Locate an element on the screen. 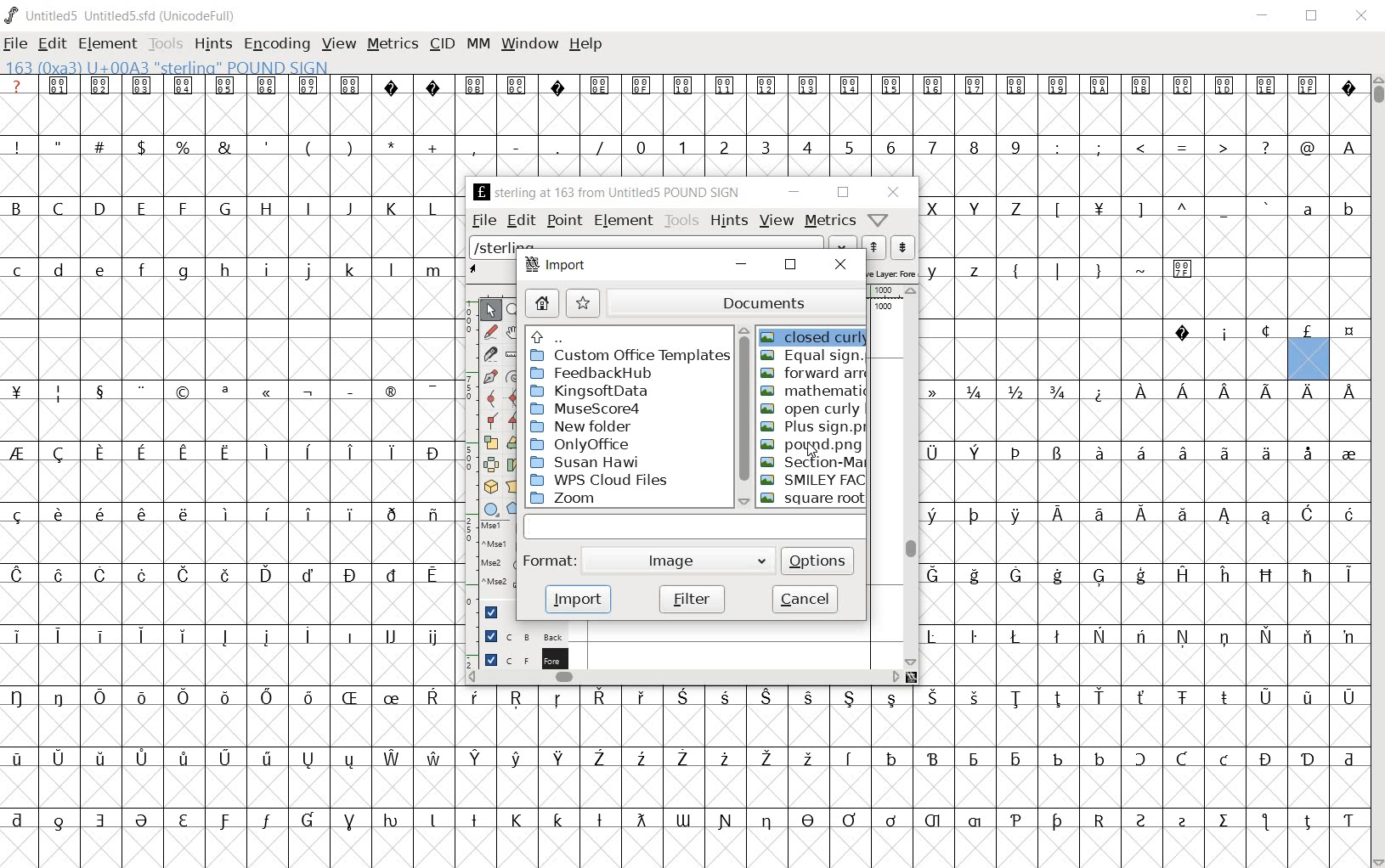 The height and width of the screenshot is (868, 1385). Symbol is located at coordinates (890, 820).